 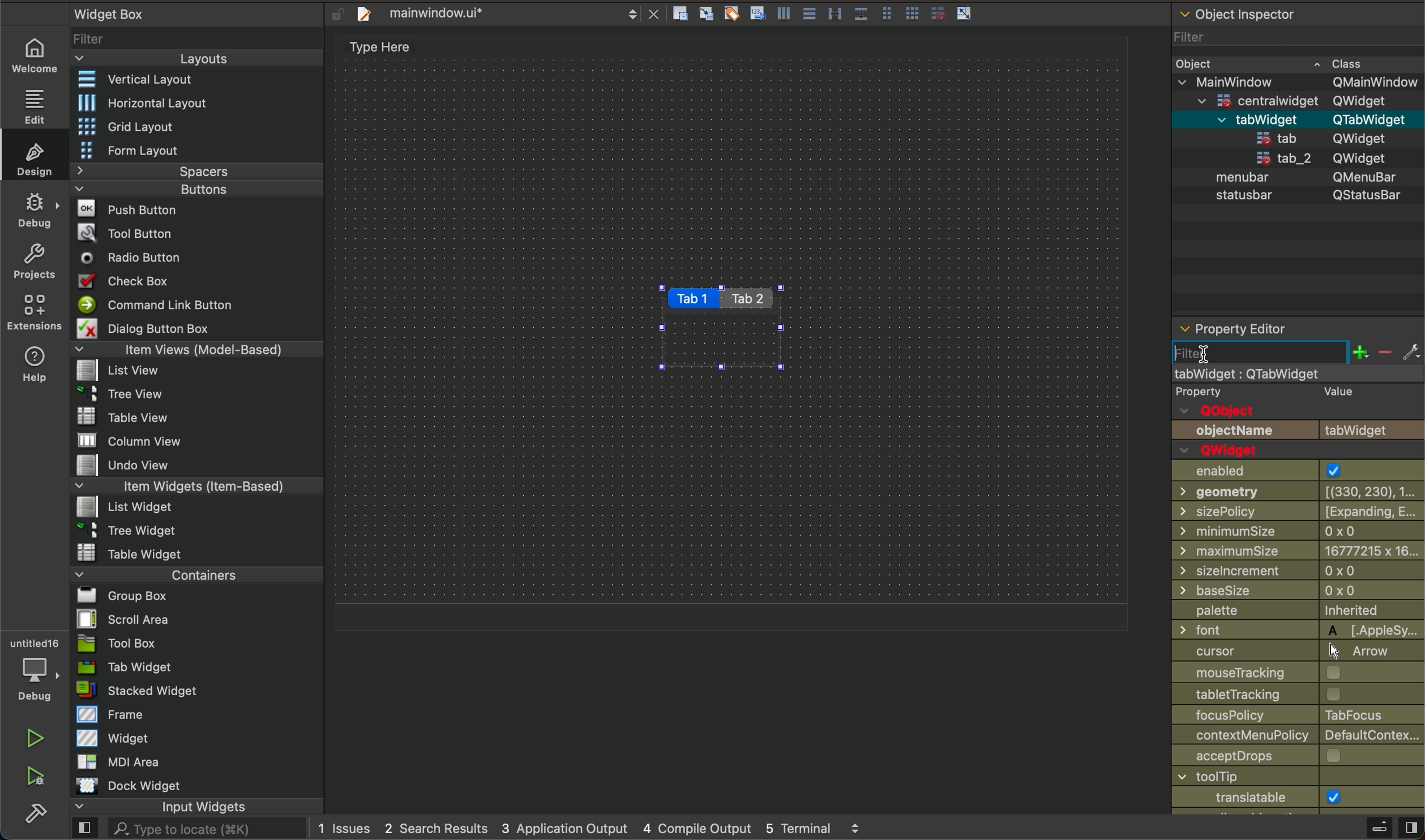 What do you see at coordinates (1299, 610) in the screenshot?
I see `palette` at bounding box center [1299, 610].